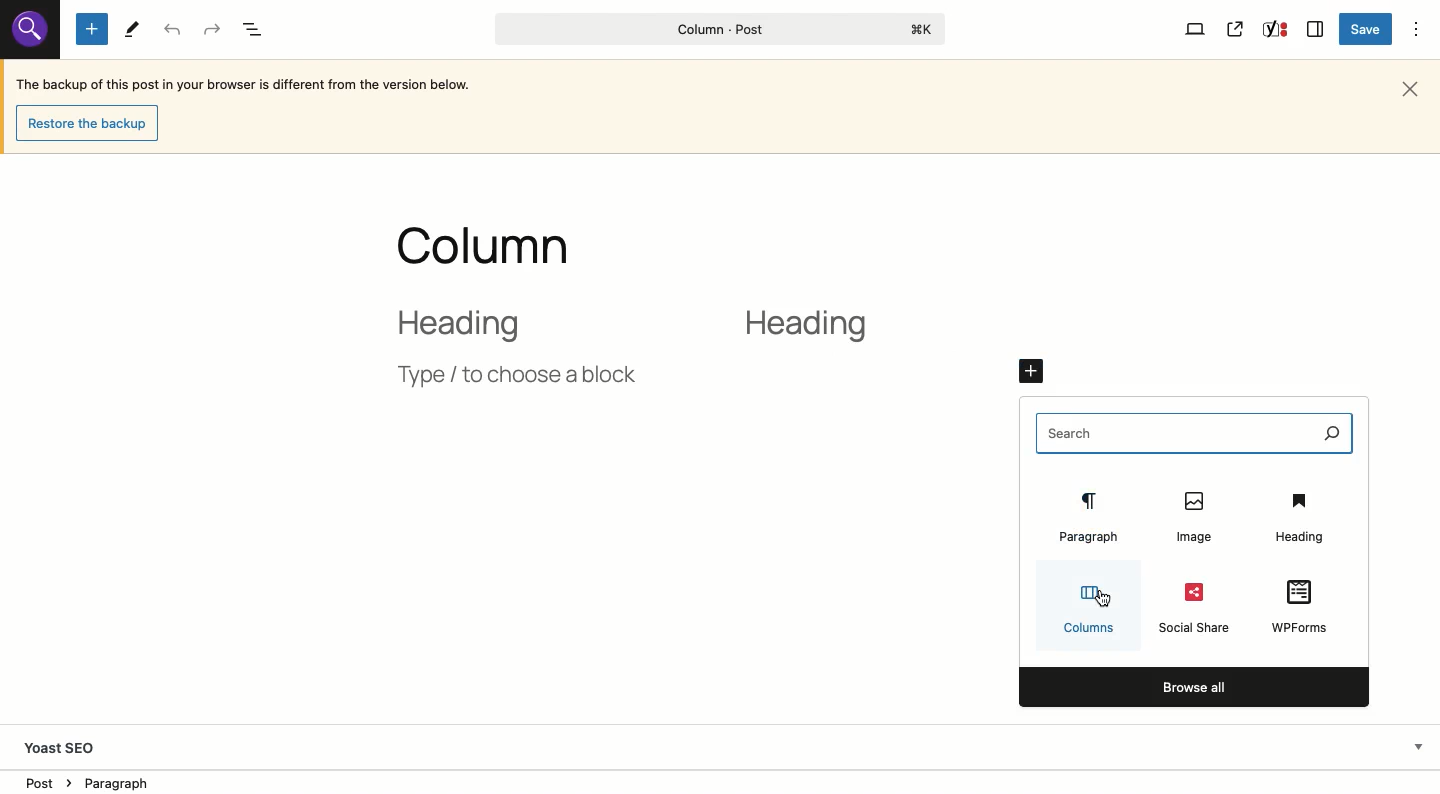 Image resolution: width=1440 pixels, height=794 pixels. What do you see at coordinates (1368, 30) in the screenshot?
I see `Save` at bounding box center [1368, 30].